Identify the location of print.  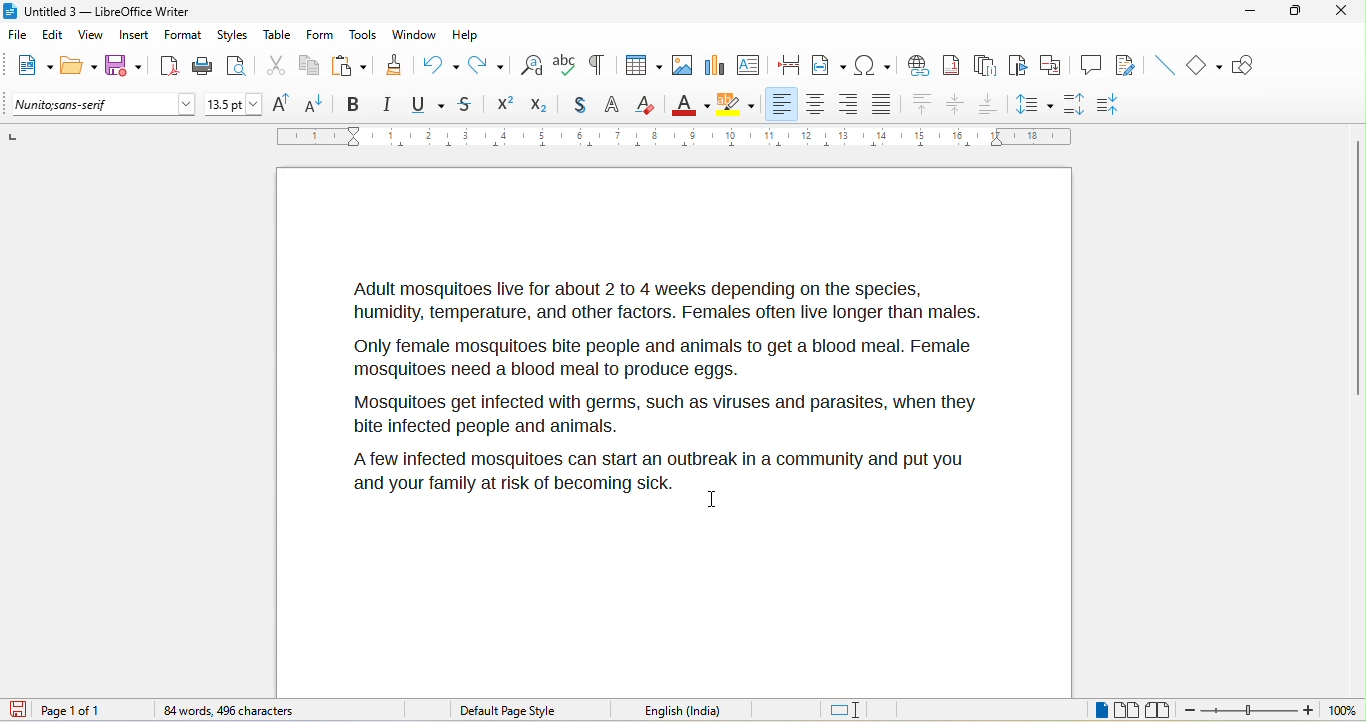
(203, 67).